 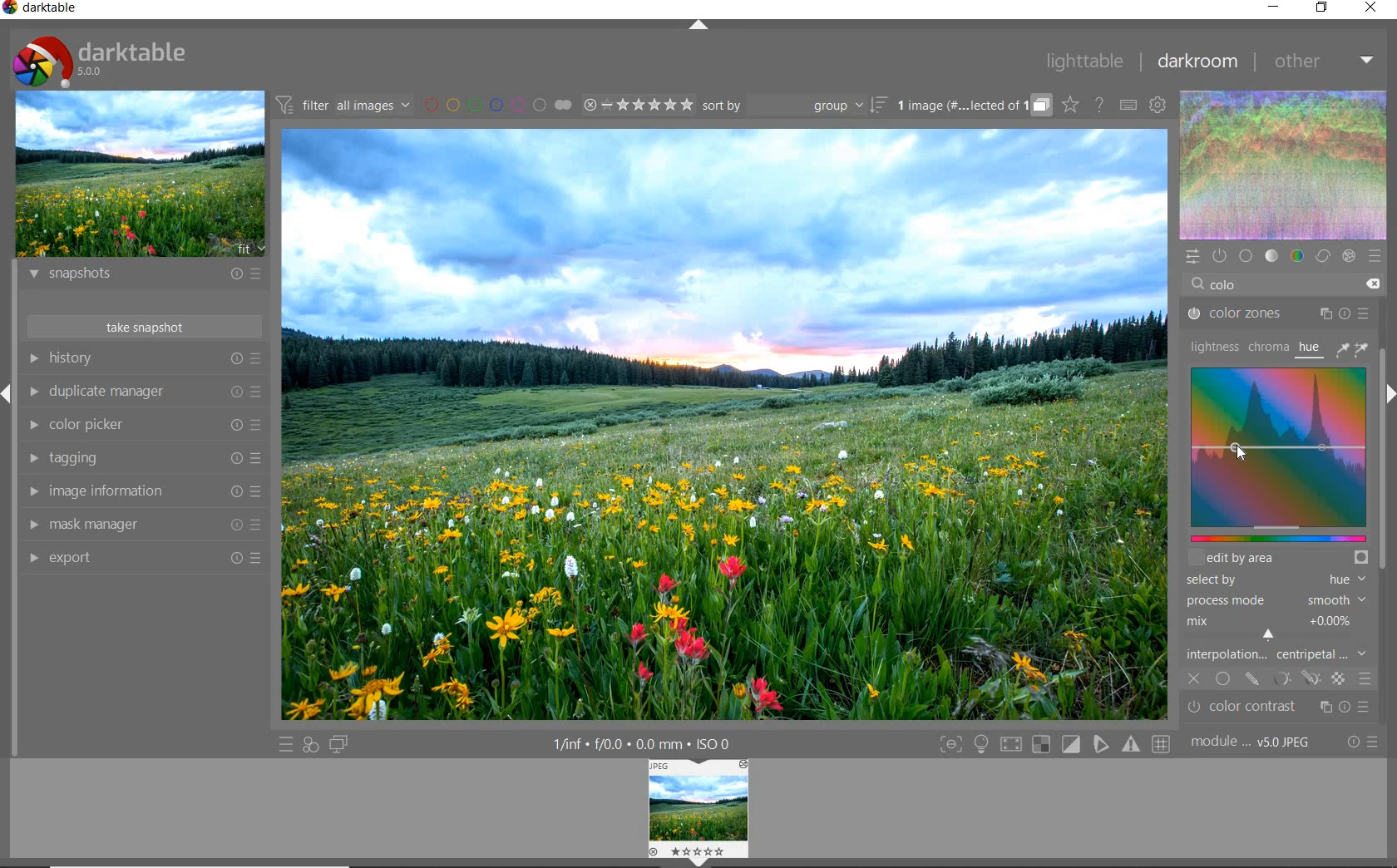 What do you see at coordinates (1276, 8) in the screenshot?
I see `minimize` at bounding box center [1276, 8].